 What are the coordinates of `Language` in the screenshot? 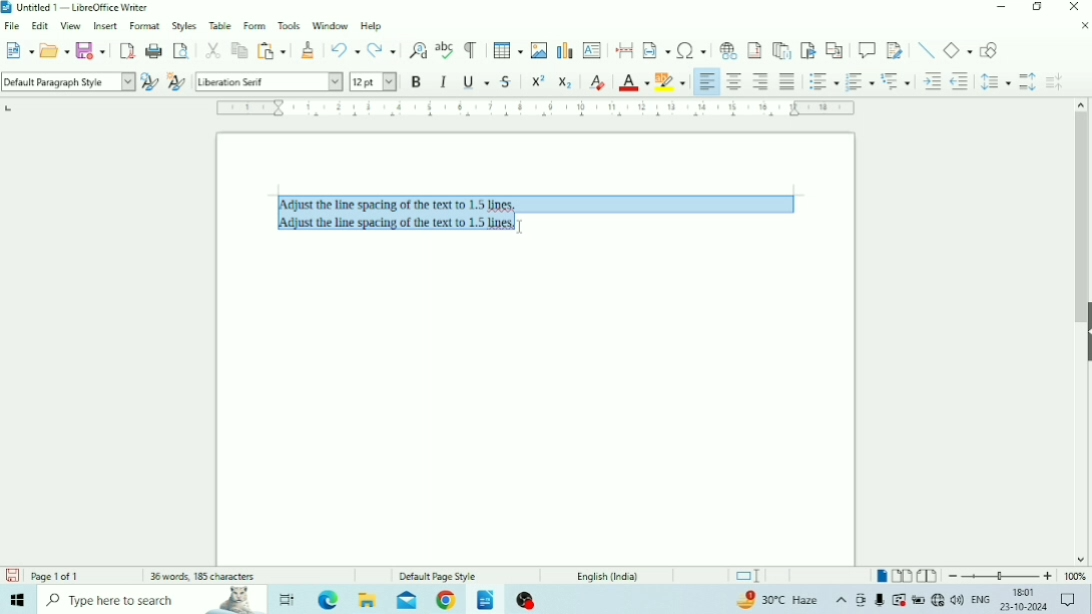 It's located at (608, 576).